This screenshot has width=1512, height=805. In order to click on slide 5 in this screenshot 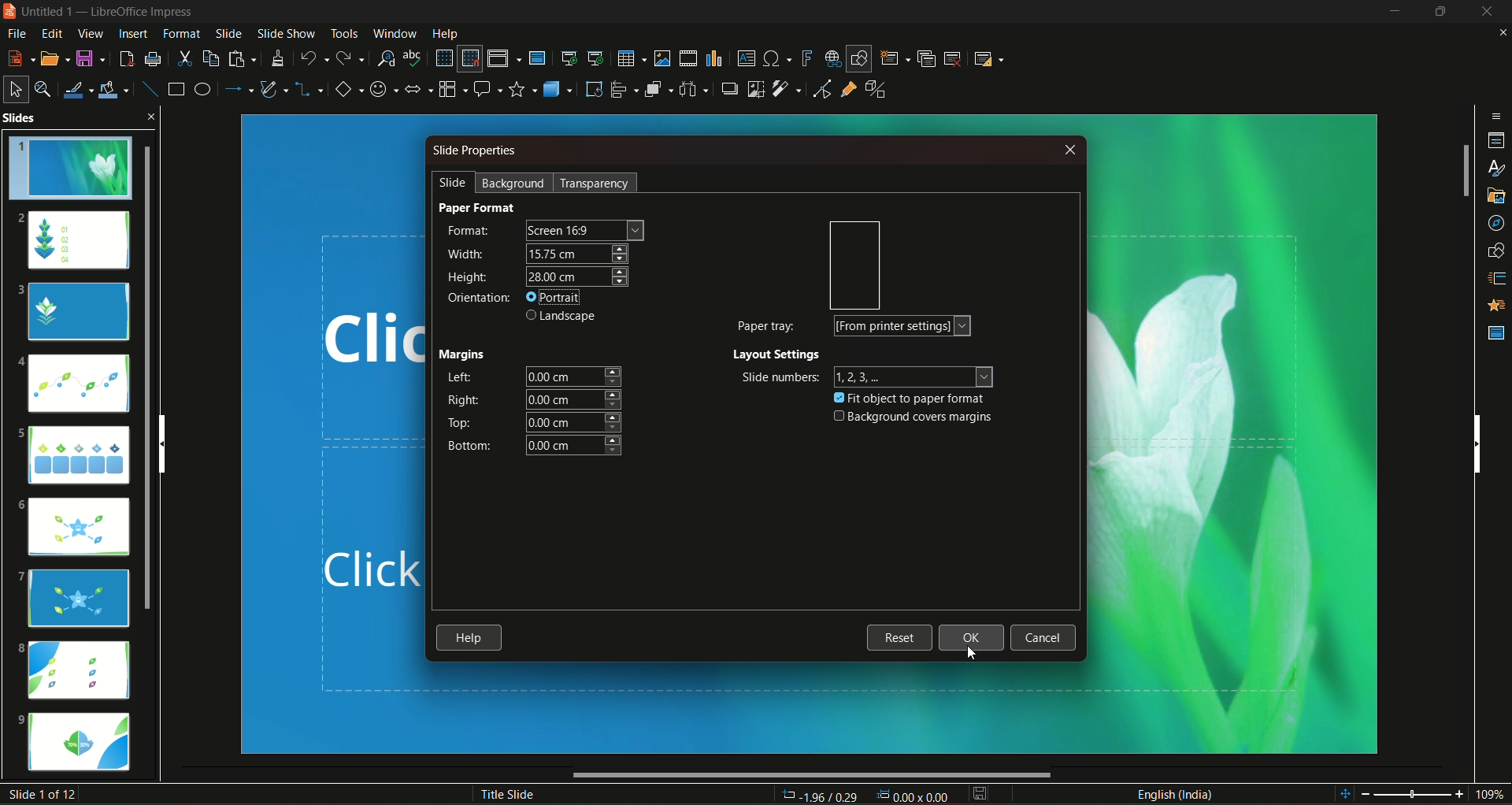, I will do `click(73, 453)`.